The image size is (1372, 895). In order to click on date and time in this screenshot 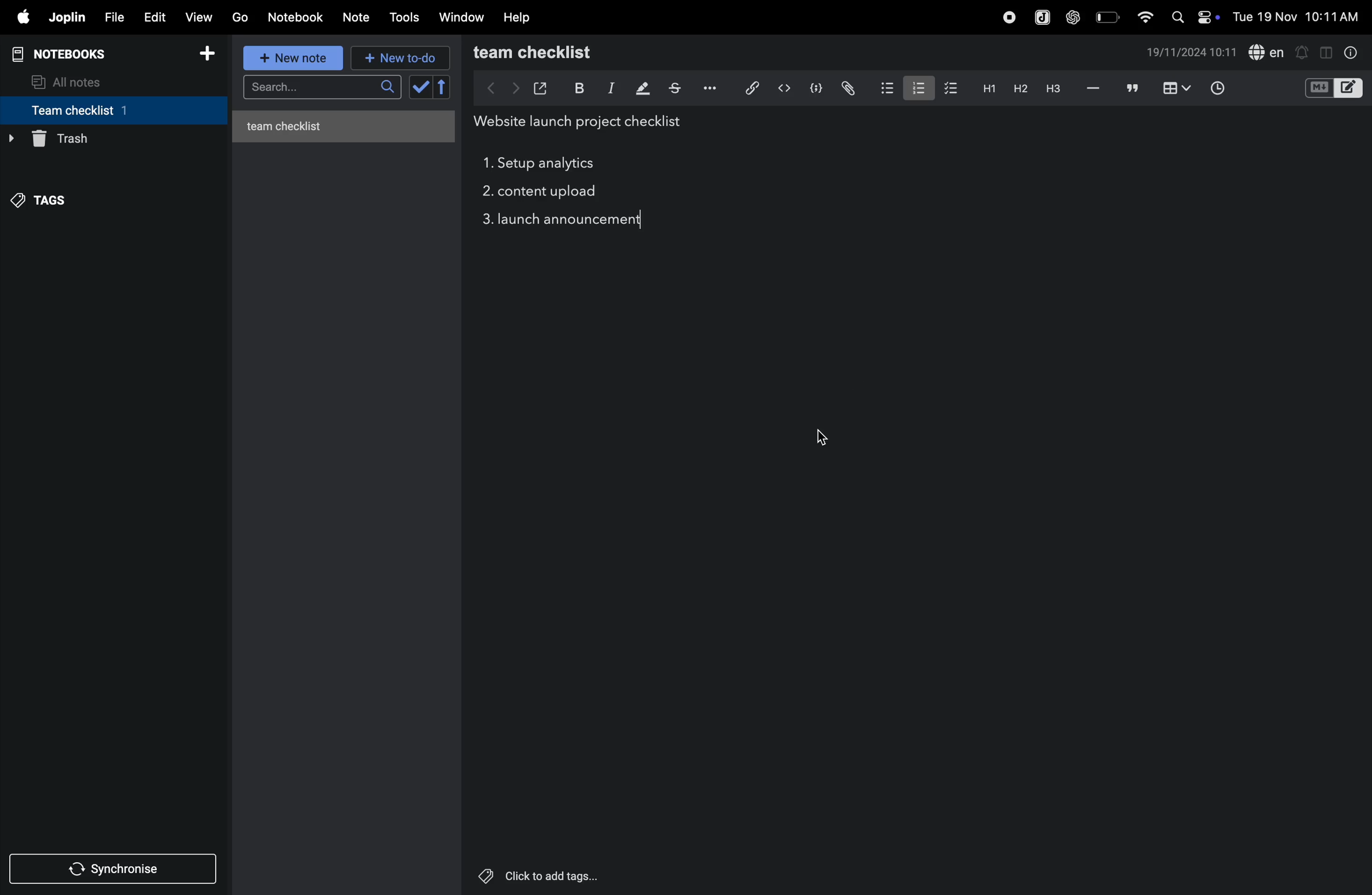, I will do `click(1297, 17)`.